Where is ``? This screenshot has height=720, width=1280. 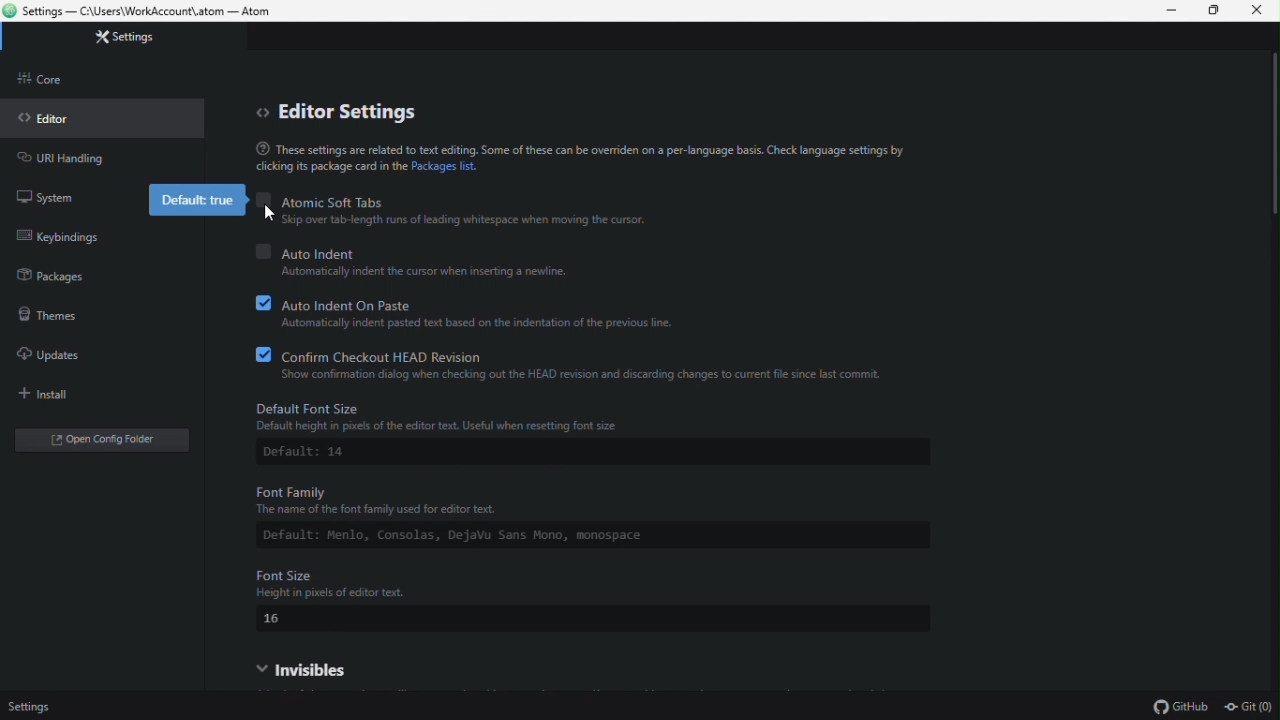
 is located at coordinates (47, 77).